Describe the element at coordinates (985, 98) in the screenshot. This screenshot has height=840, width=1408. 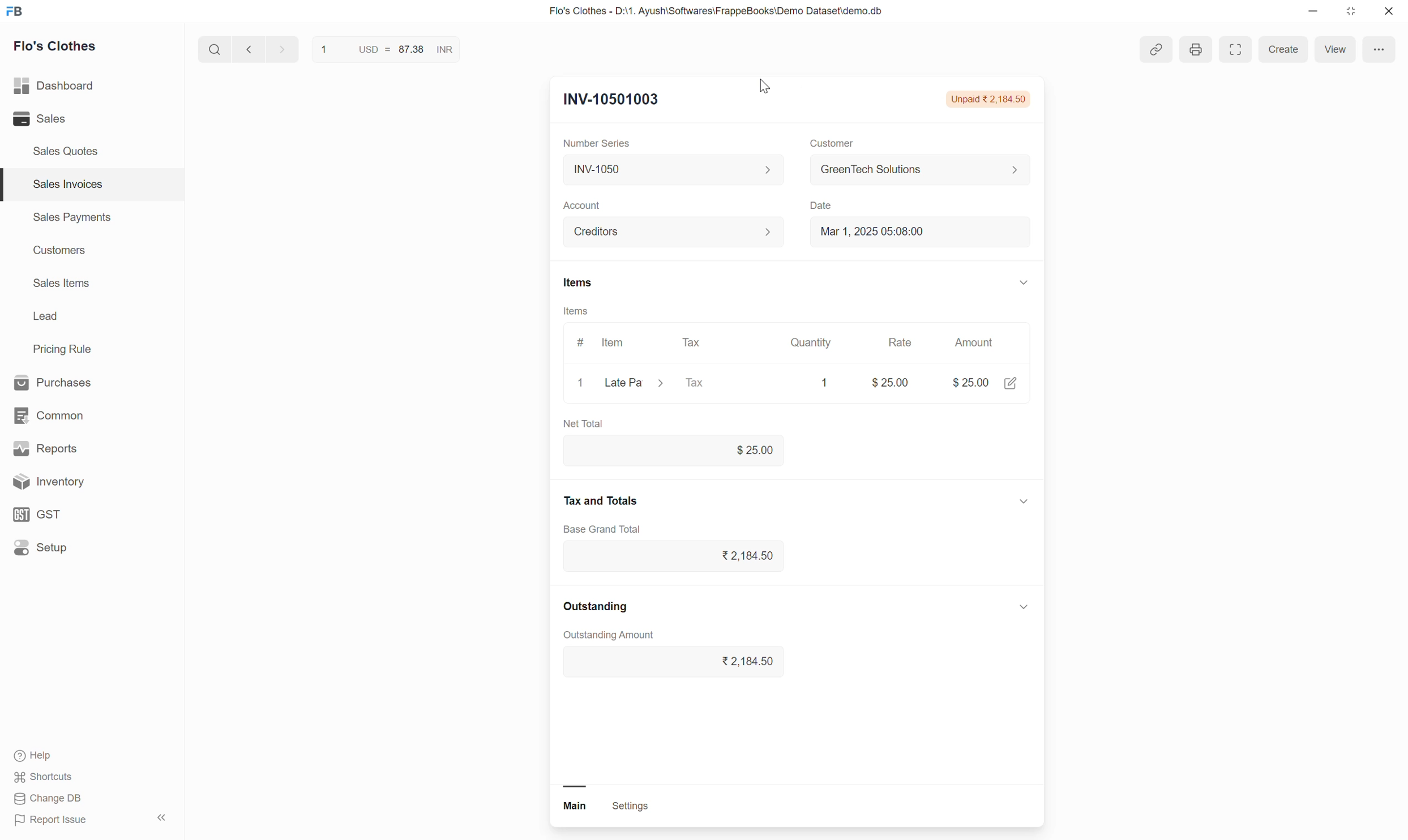
I see `unpaid 2,184.50` at that location.